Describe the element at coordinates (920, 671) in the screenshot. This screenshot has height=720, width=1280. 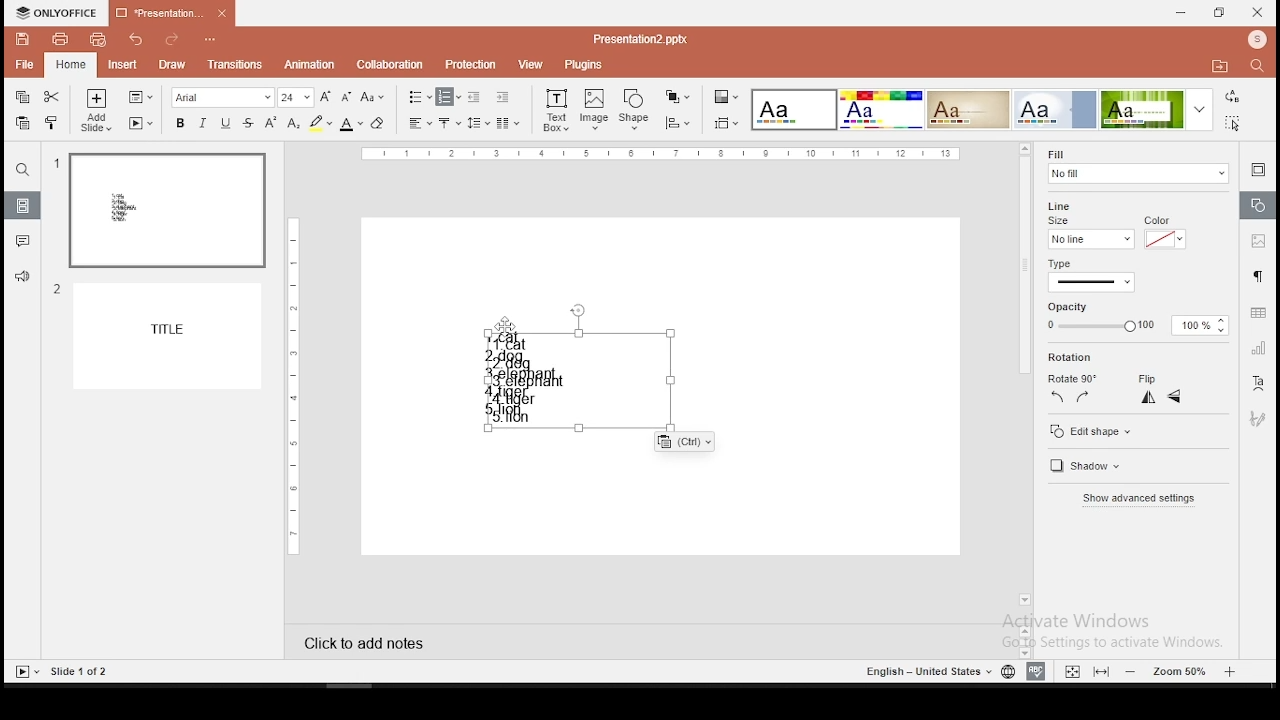
I see `English` at that location.